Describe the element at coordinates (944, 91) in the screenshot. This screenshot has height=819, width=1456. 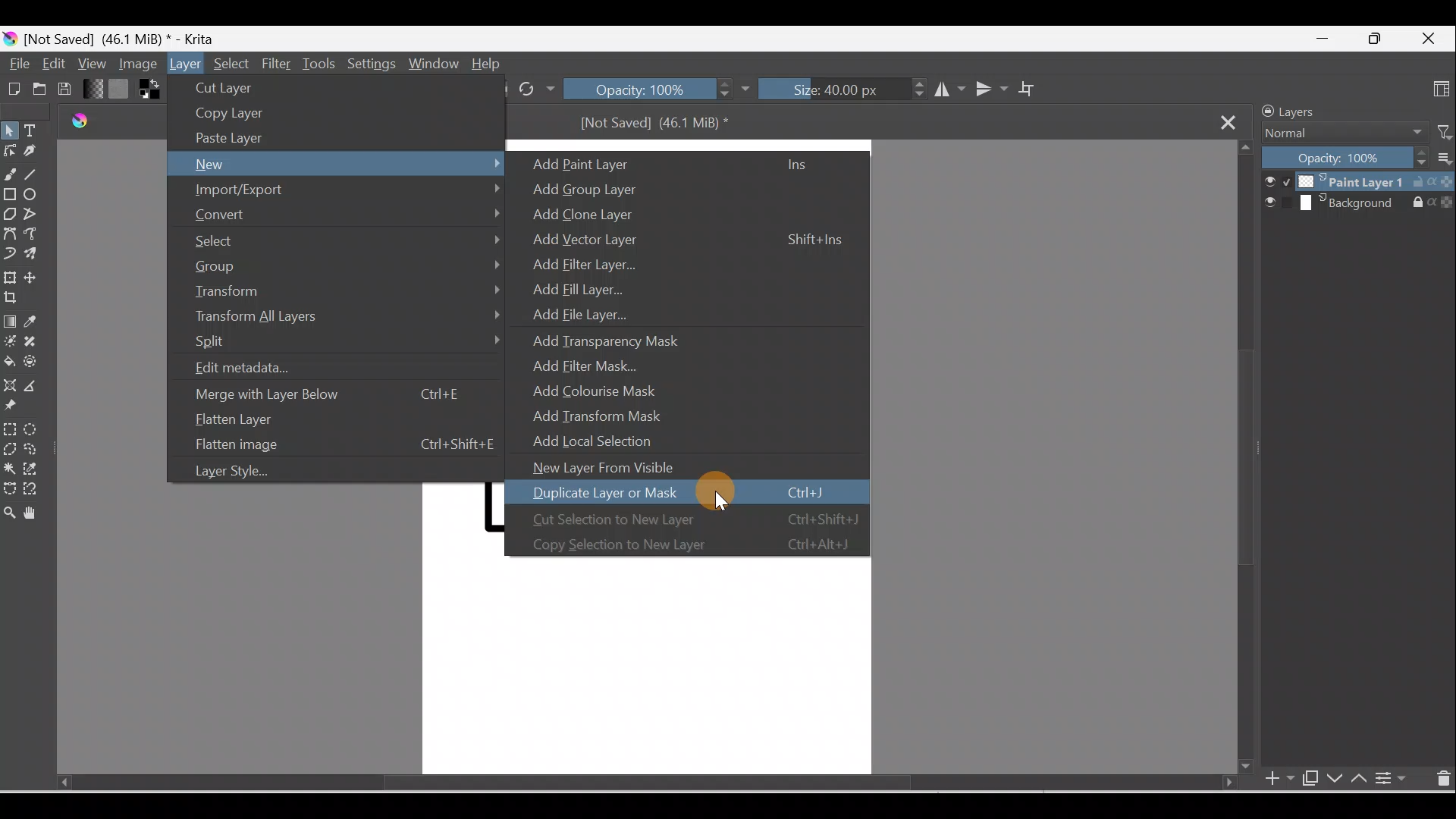
I see `Horizontal mirror tool` at that location.